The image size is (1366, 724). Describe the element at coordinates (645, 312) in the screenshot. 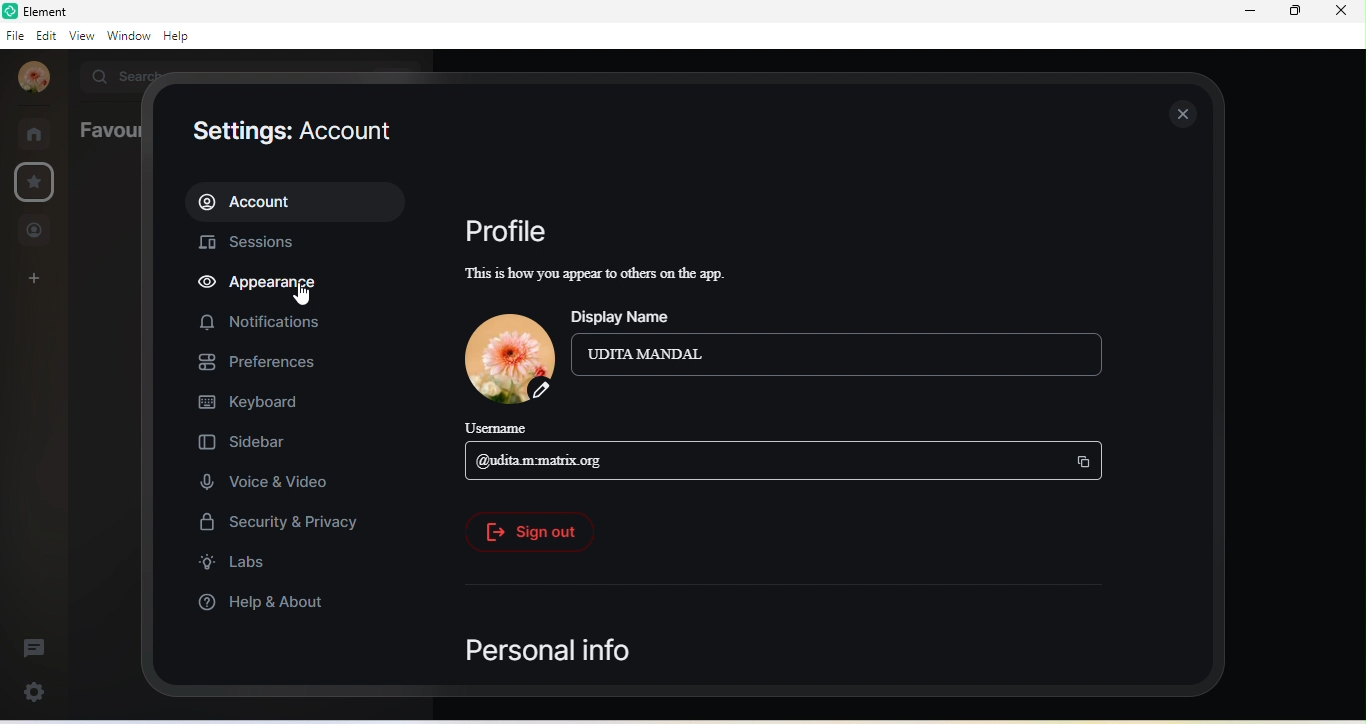

I see `display name` at that location.